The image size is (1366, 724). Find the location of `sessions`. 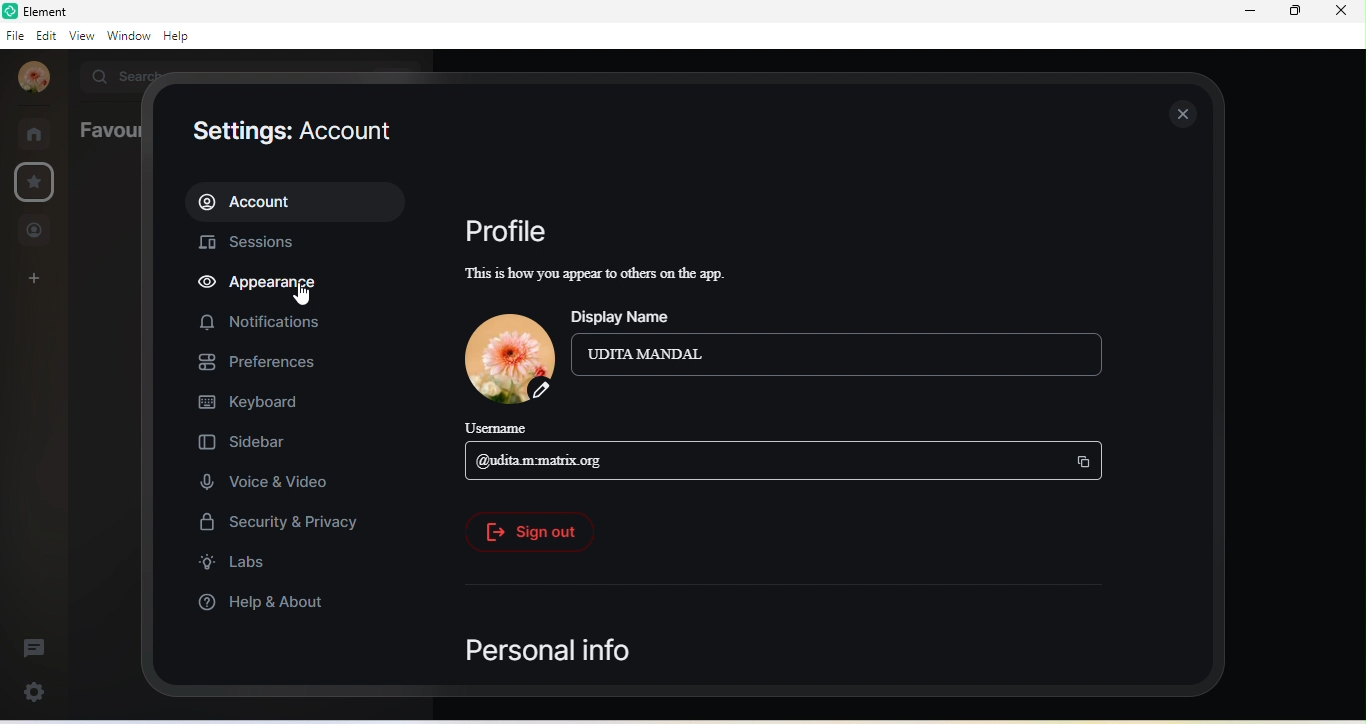

sessions is located at coordinates (250, 243).